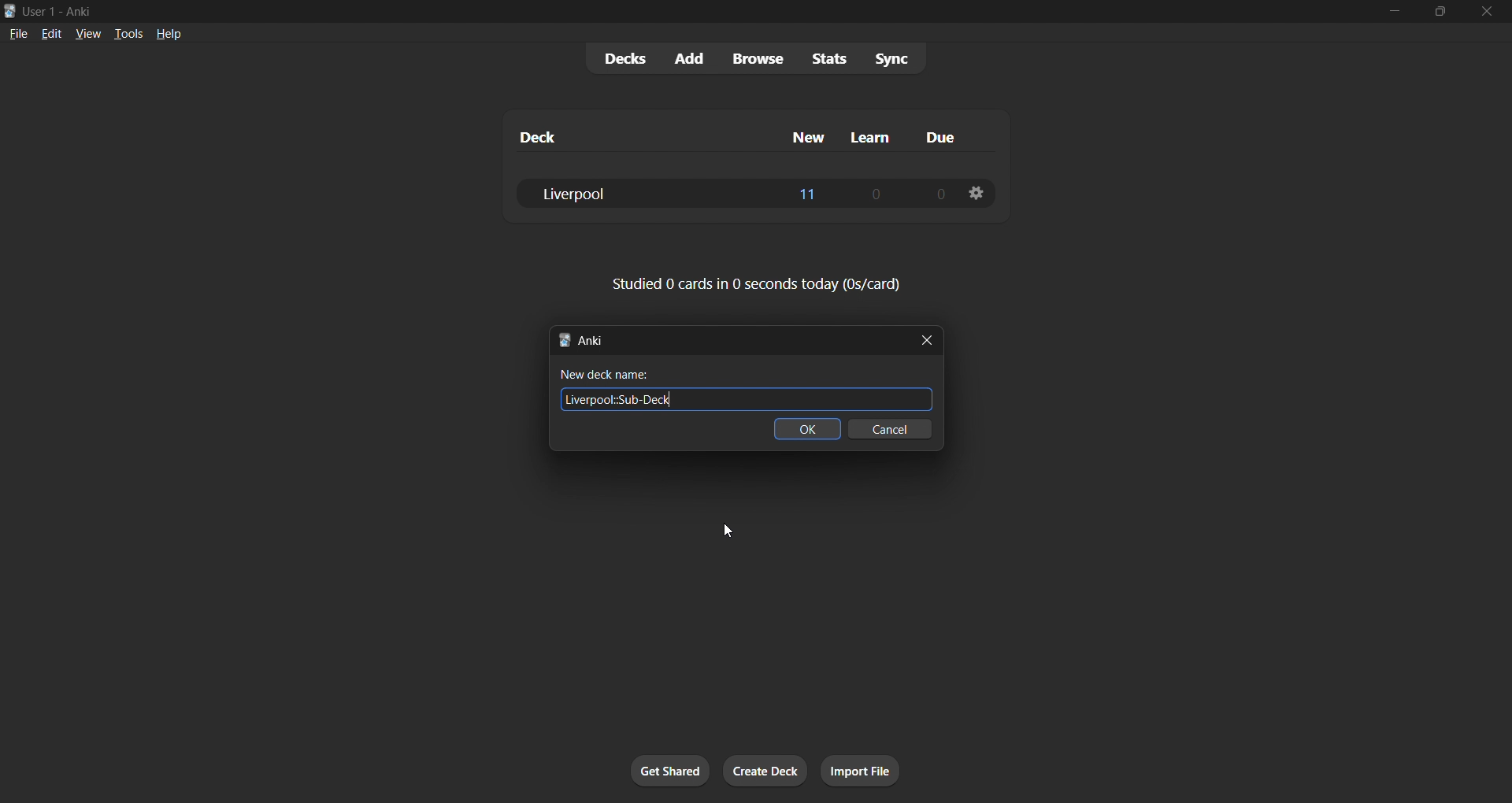 The height and width of the screenshot is (803, 1512). Describe the element at coordinates (608, 369) in the screenshot. I see `New deck name` at that location.